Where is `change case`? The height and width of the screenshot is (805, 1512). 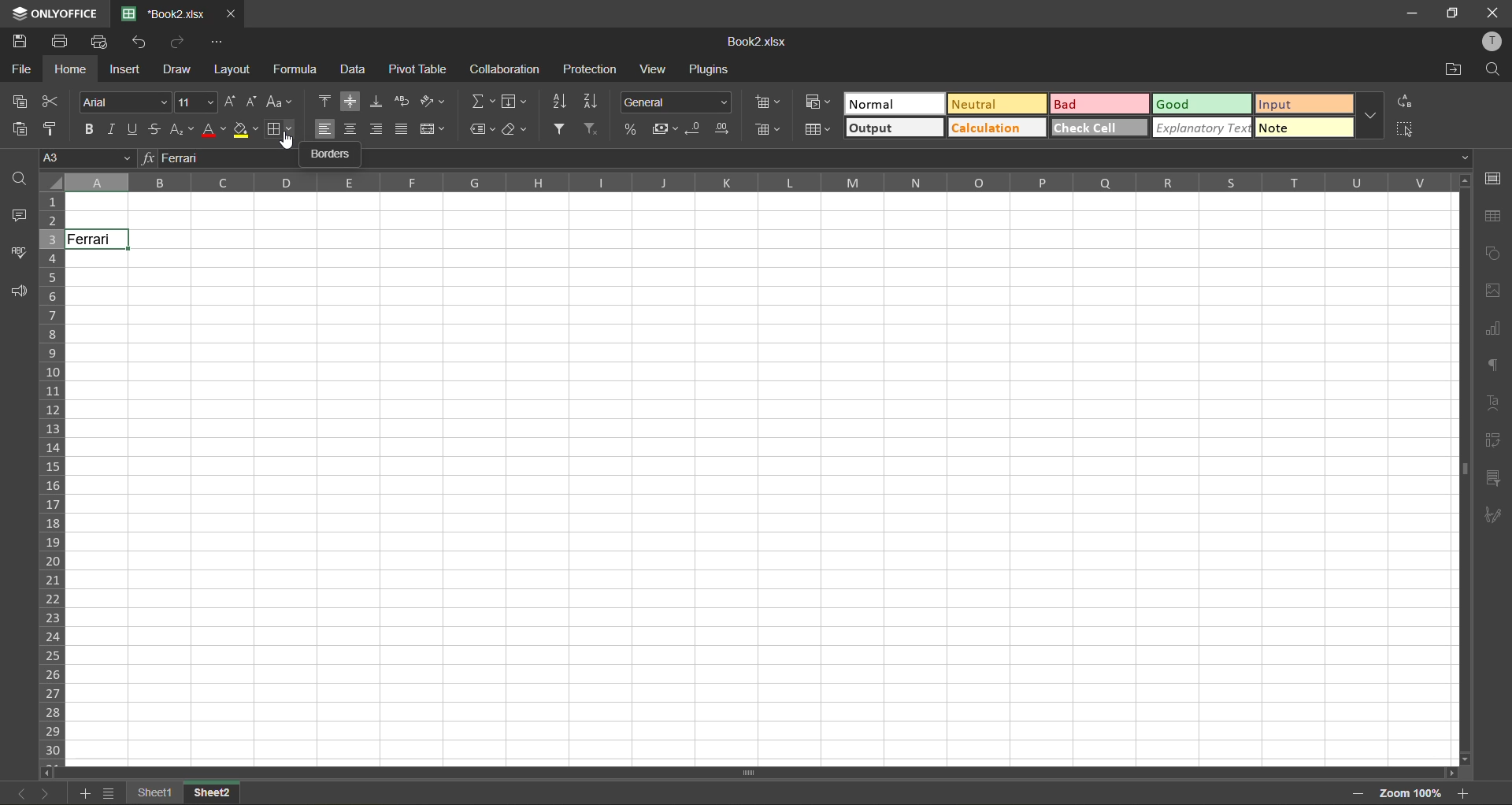
change case is located at coordinates (280, 103).